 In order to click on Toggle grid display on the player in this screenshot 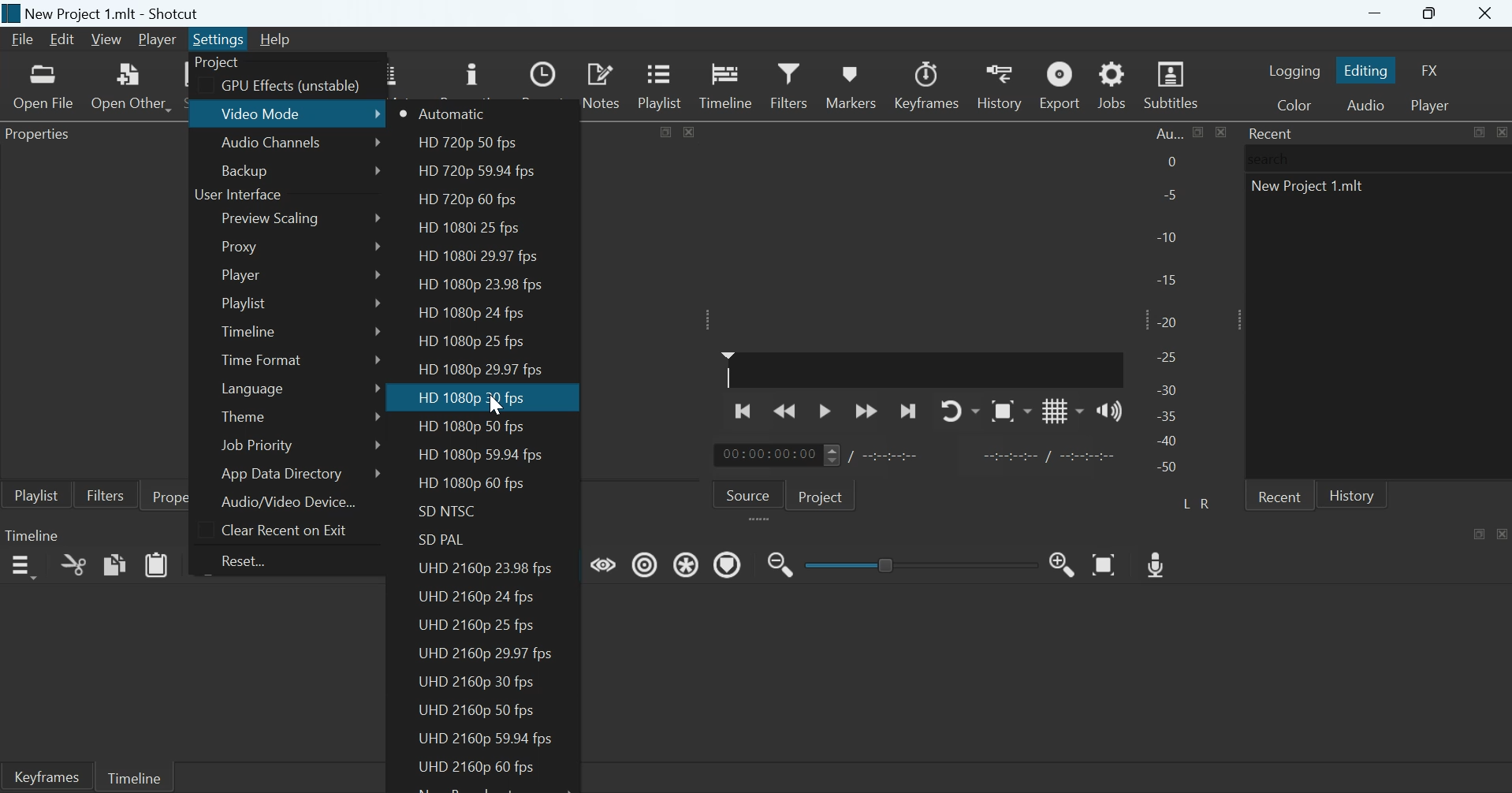, I will do `click(1063, 410)`.